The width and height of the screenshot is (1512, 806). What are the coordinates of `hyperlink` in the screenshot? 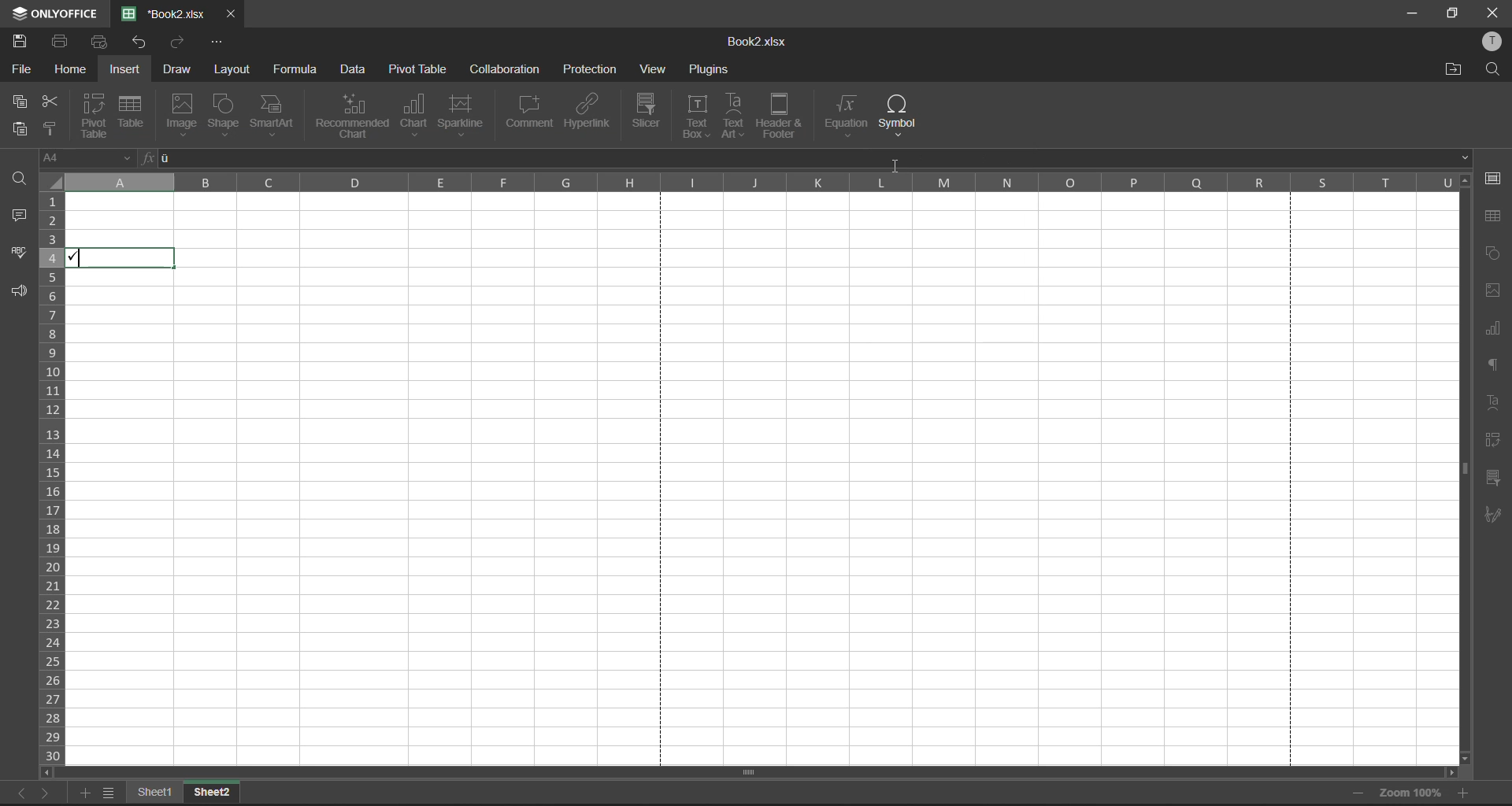 It's located at (589, 113).